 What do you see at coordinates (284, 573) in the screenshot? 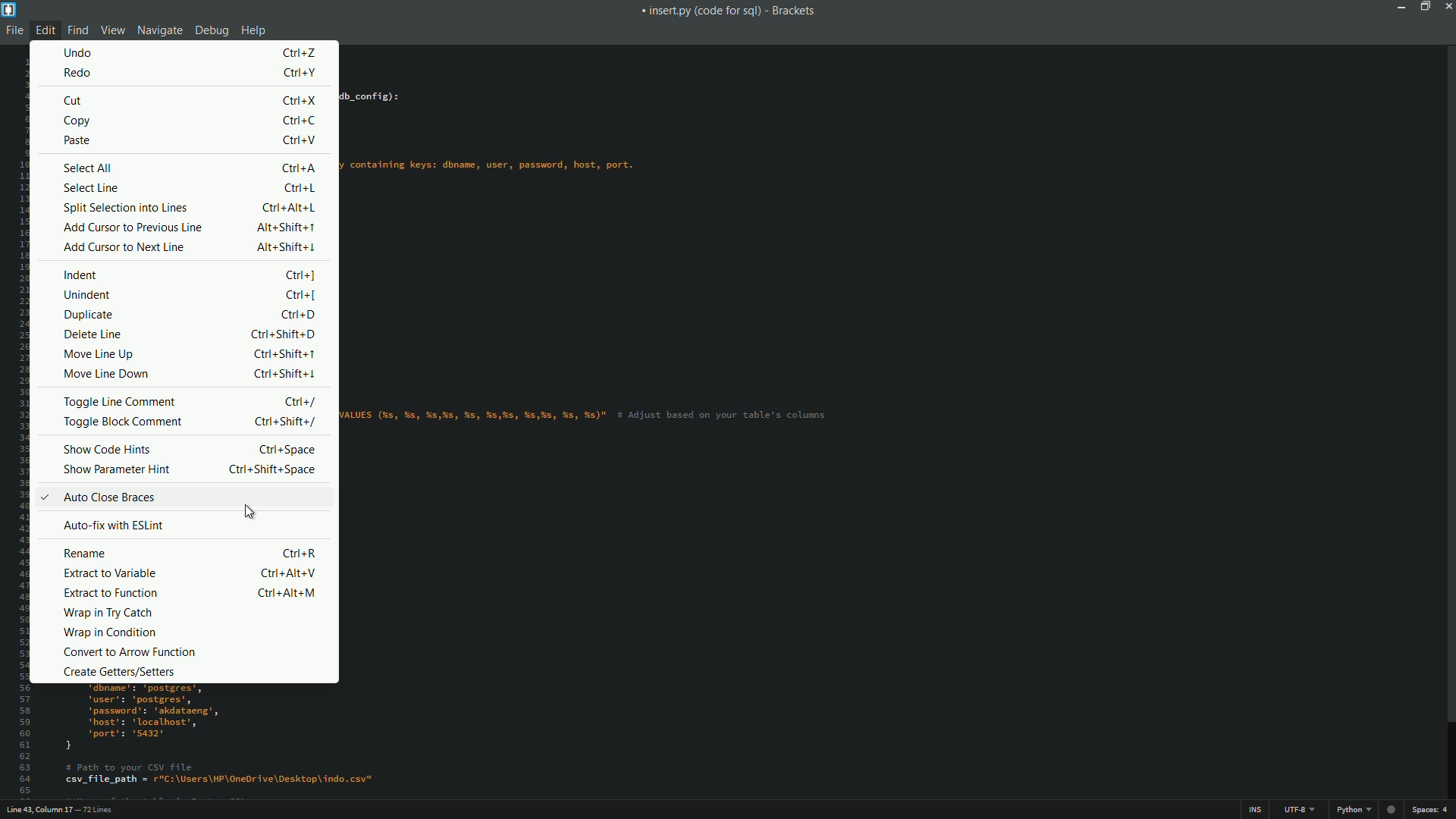
I see `keyboard shortcut` at bounding box center [284, 573].